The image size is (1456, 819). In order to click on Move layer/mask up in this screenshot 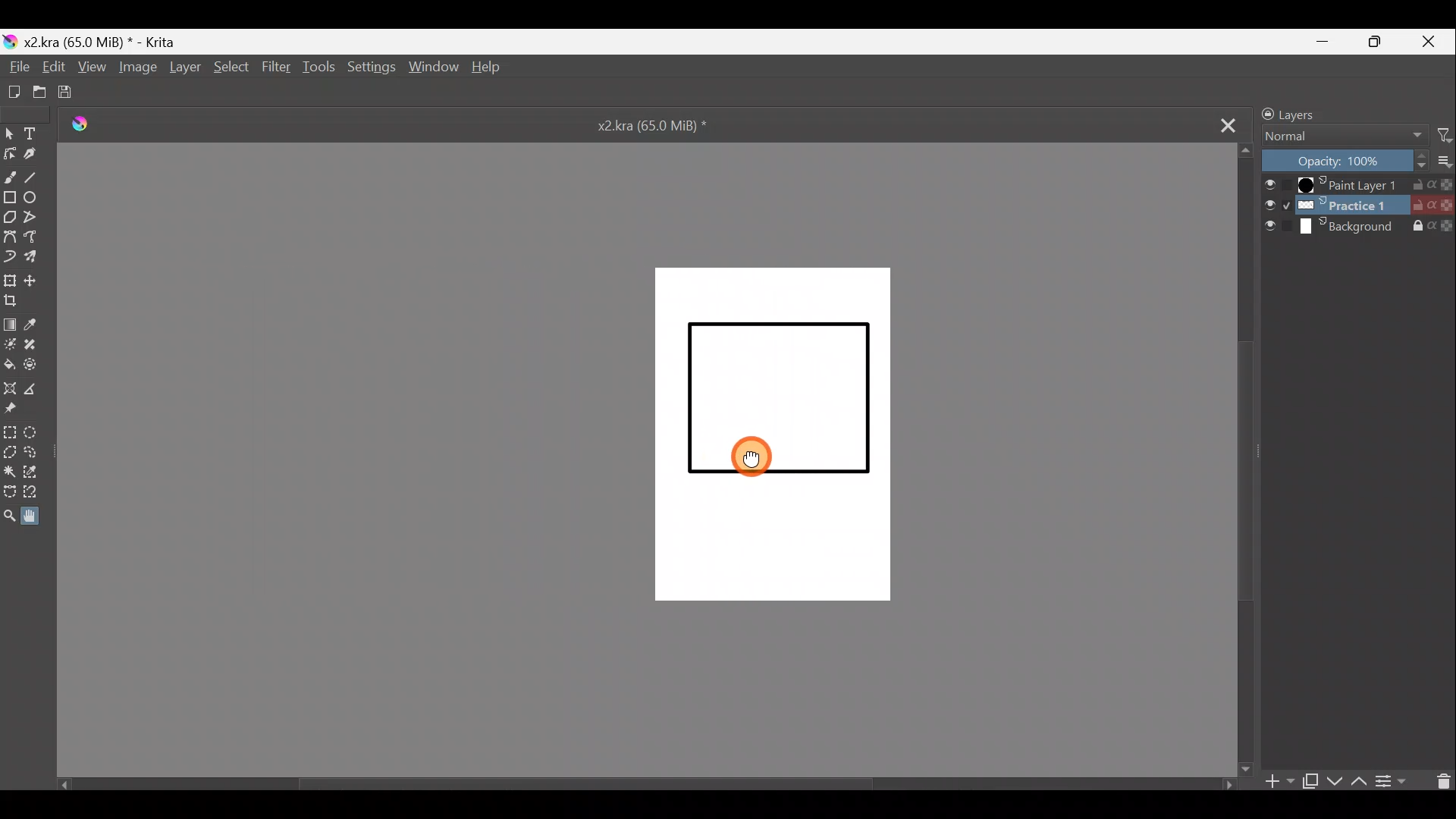, I will do `click(1355, 782)`.